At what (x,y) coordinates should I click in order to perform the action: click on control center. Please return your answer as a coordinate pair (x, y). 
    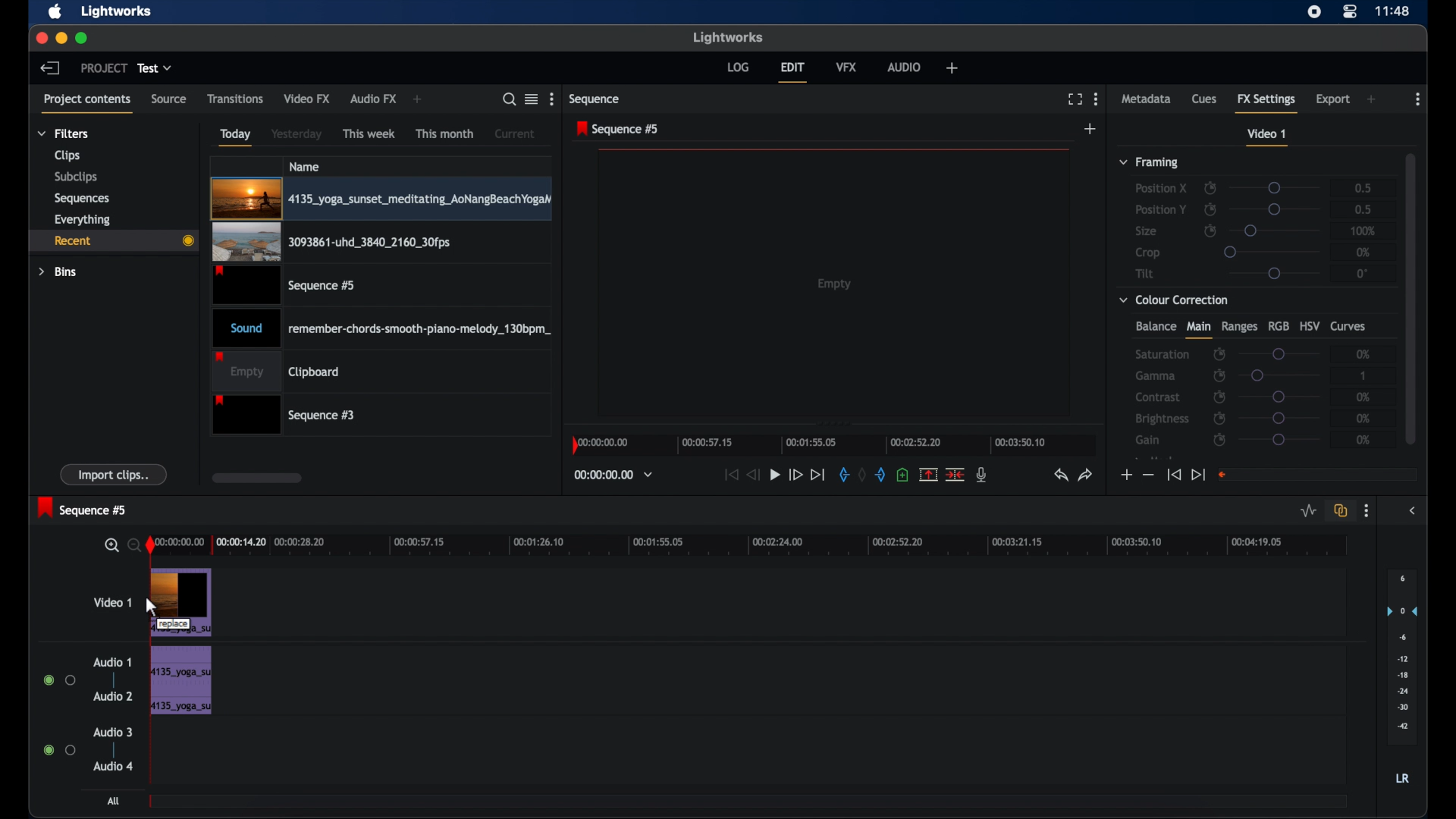
    Looking at the image, I should click on (1351, 11).